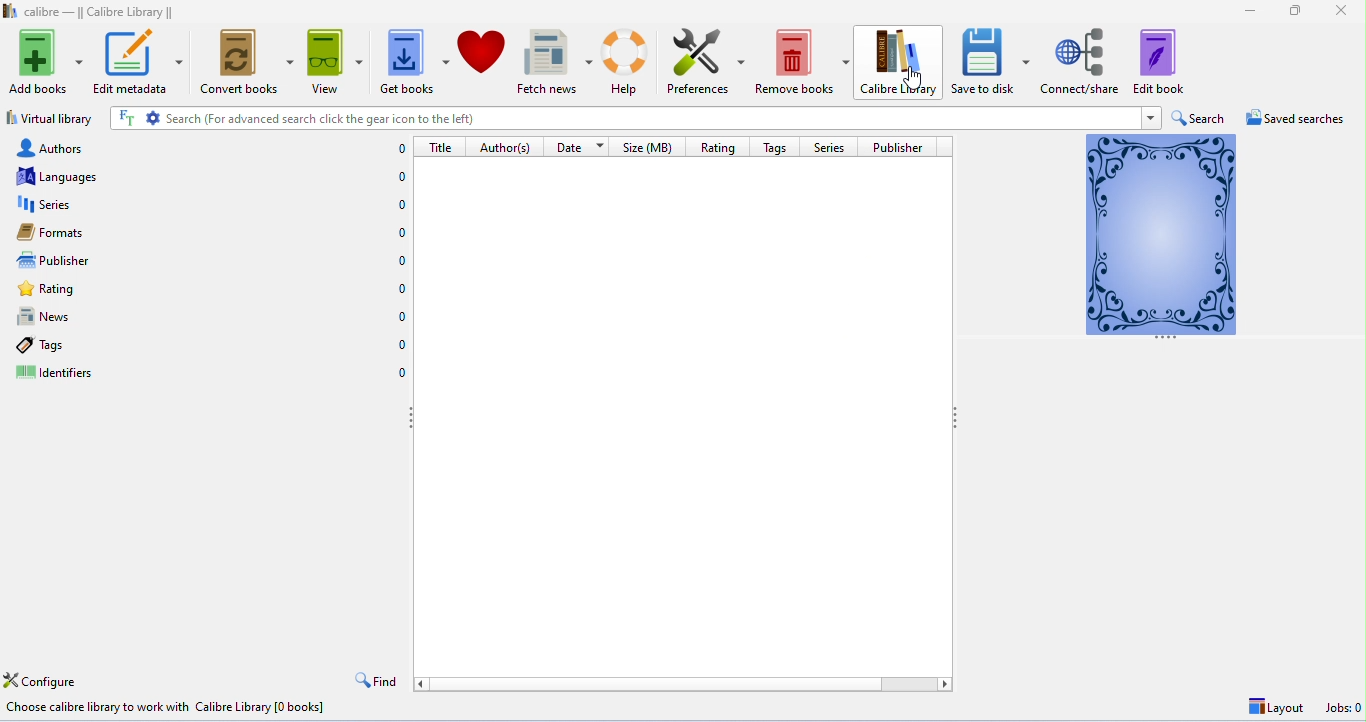 Image resolution: width=1366 pixels, height=722 pixels. What do you see at coordinates (50, 118) in the screenshot?
I see `virtual library` at bounding box center [50, 118].